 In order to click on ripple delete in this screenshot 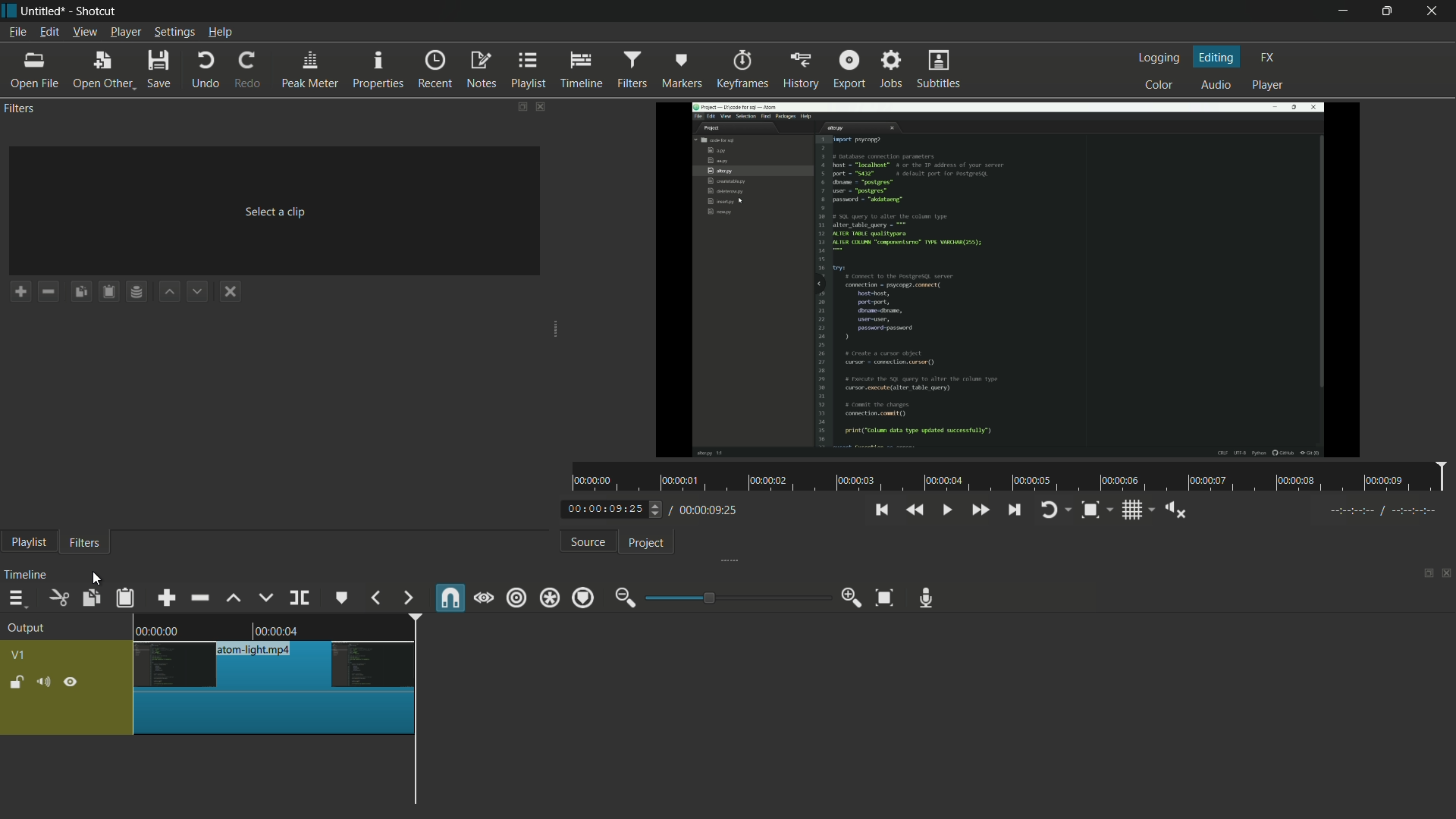, I will do `click(199, 597)`.